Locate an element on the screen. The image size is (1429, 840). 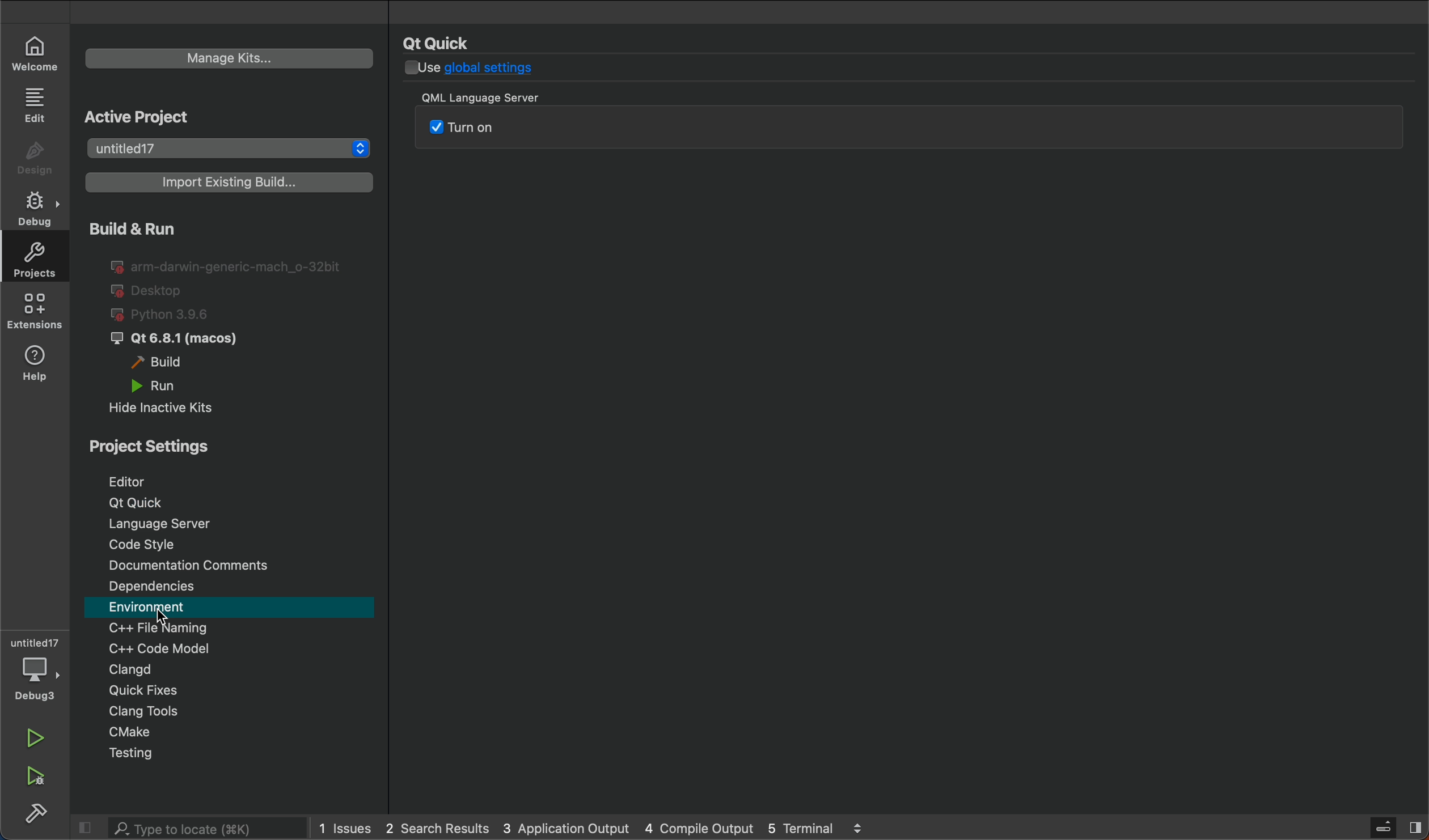
code style is located at coordinates (233, 542).